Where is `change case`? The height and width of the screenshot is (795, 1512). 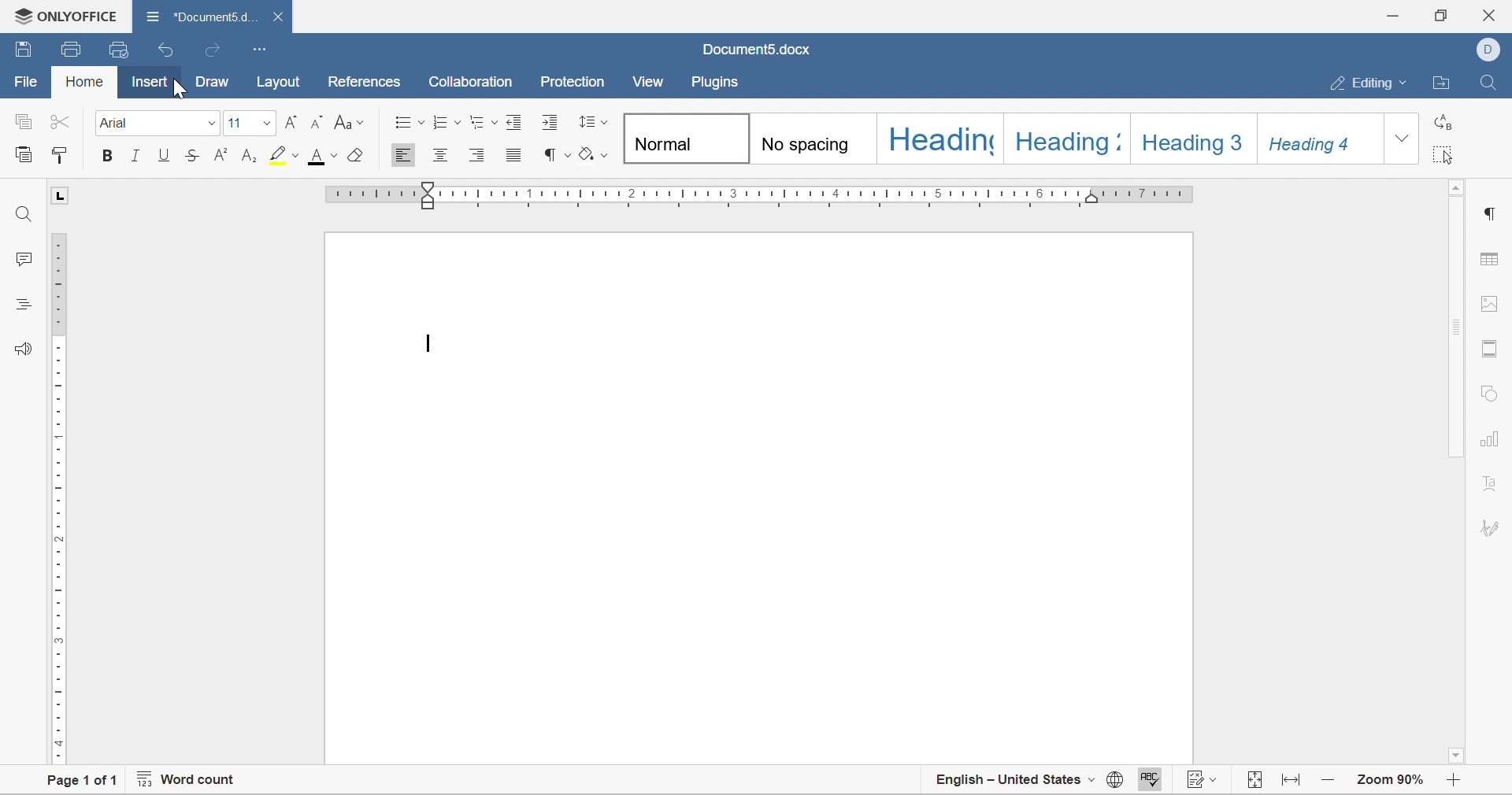
change case is located at coordinates (347, 121).